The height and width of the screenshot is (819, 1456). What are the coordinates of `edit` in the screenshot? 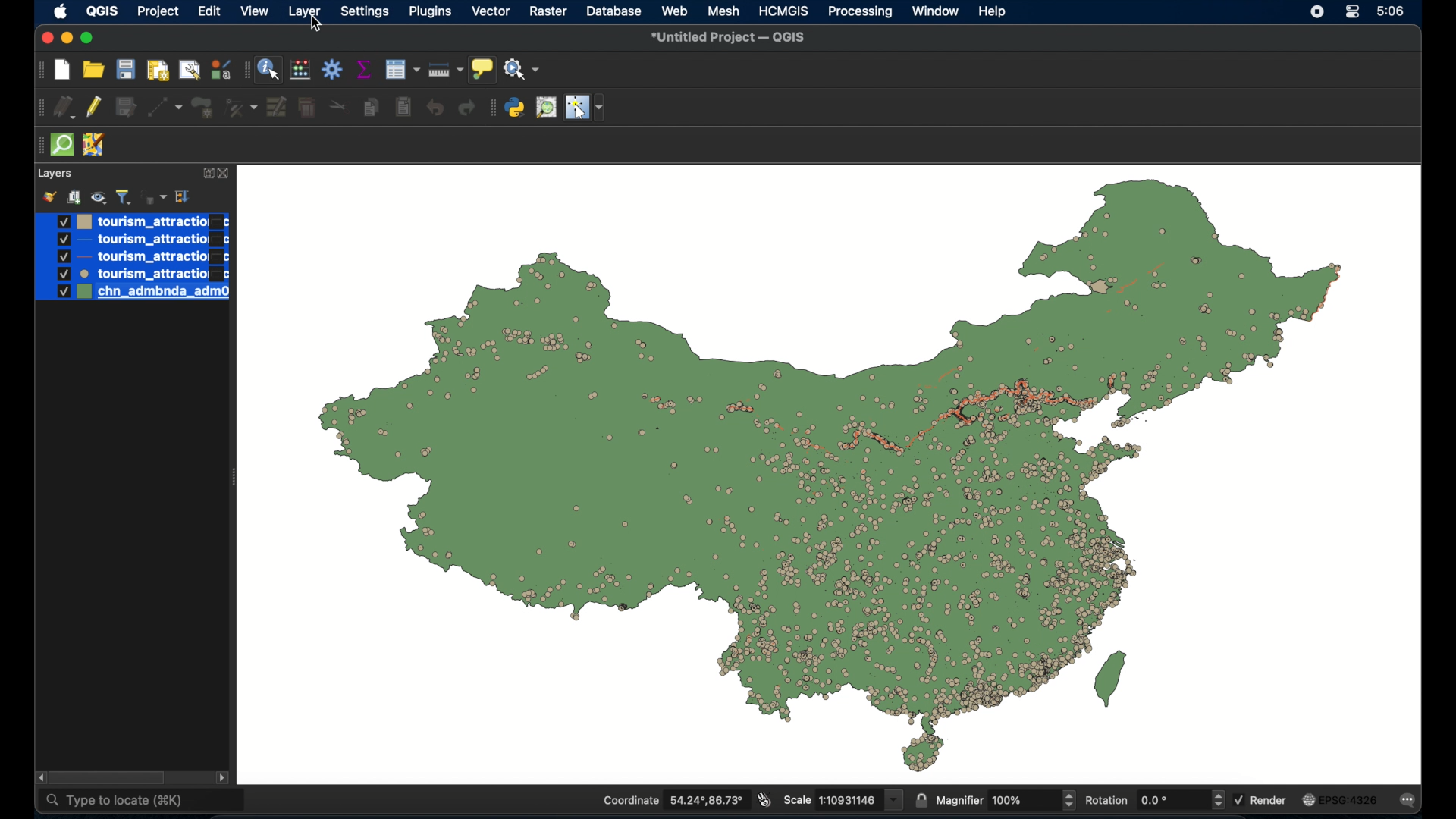 It's located at (209, 13).